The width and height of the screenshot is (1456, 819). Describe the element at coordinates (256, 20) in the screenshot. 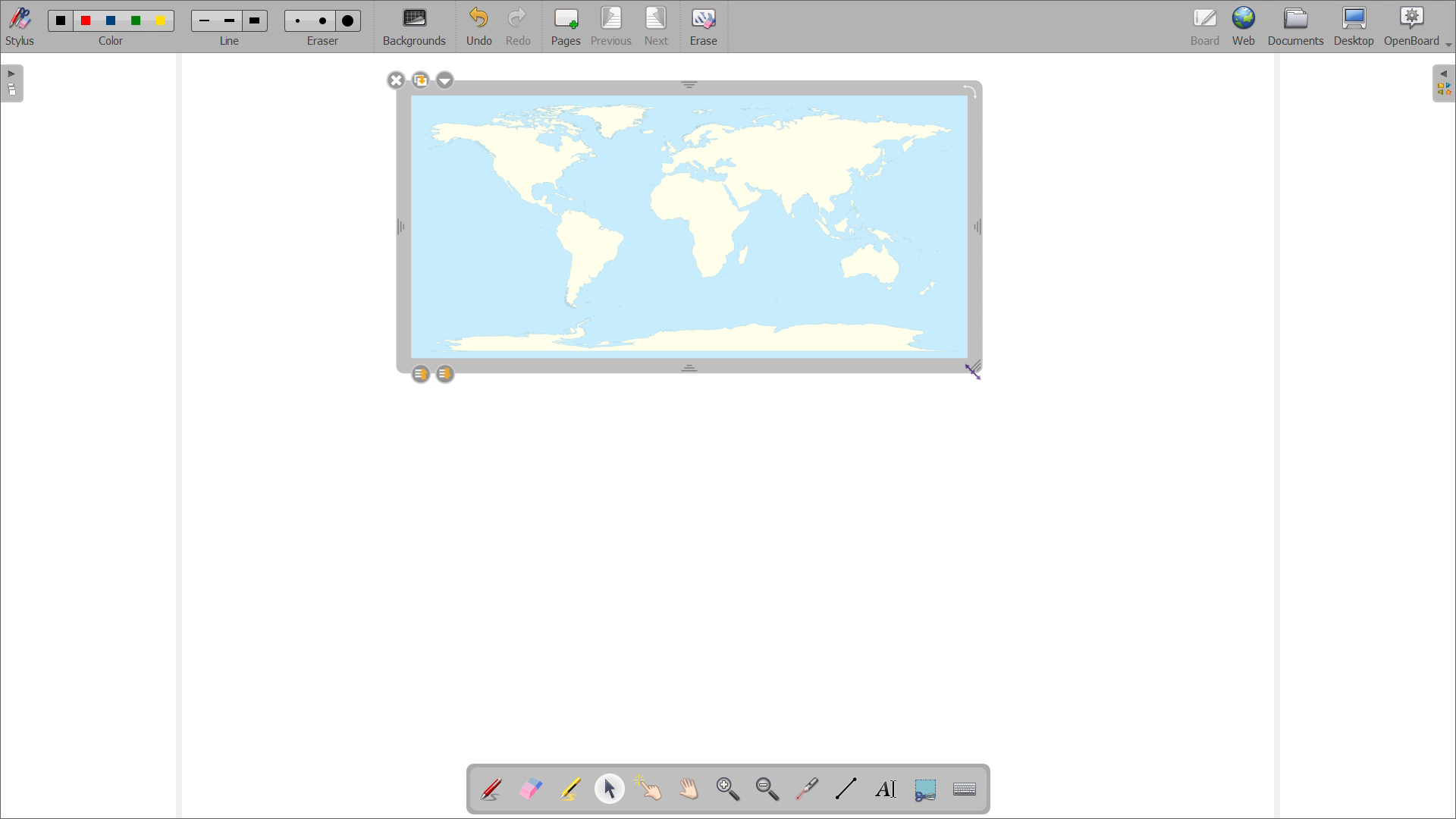

I see `large` at that location.